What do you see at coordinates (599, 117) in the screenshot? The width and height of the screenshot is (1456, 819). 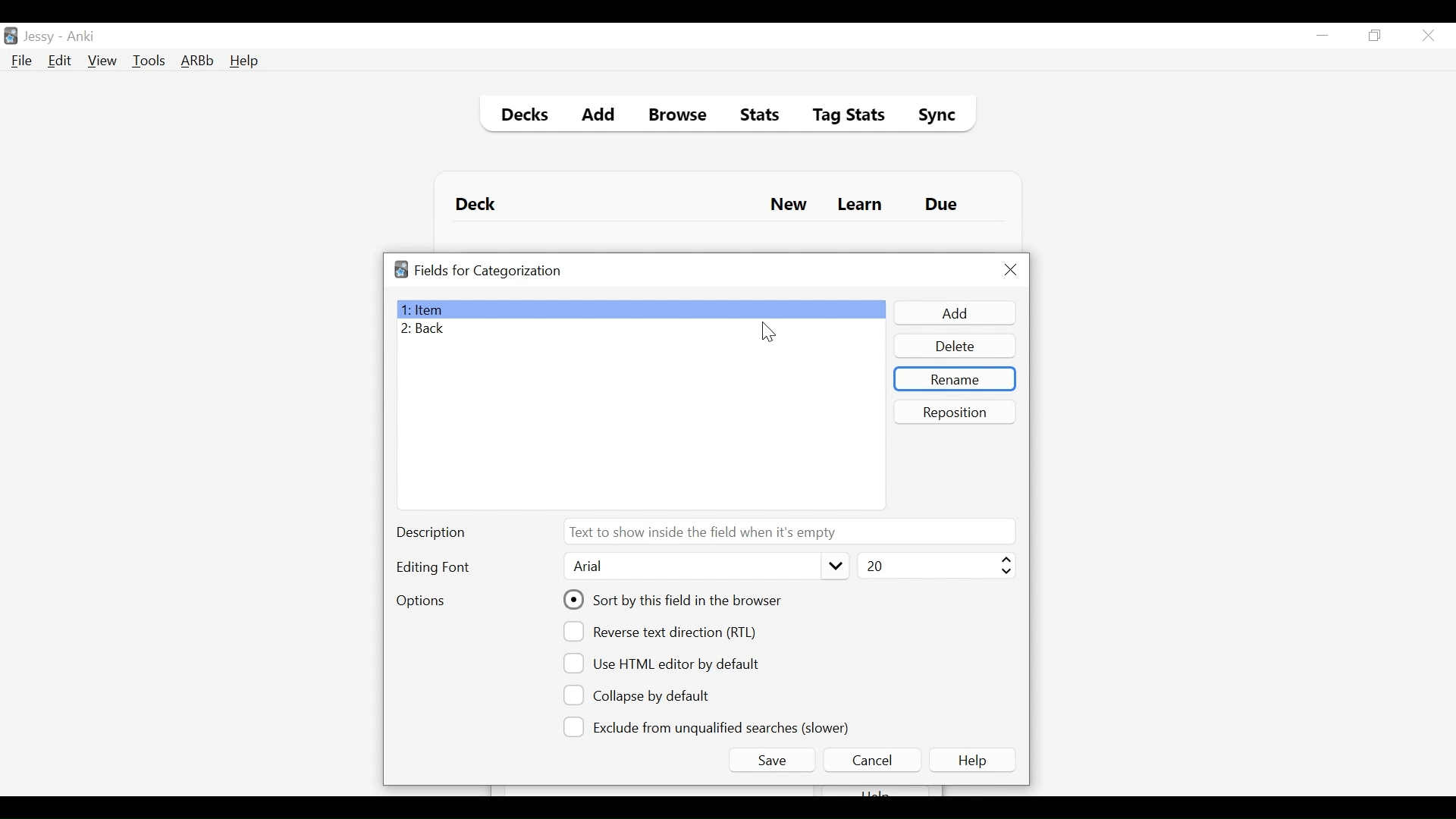 I see `Add` at bounding box center [599, 117].